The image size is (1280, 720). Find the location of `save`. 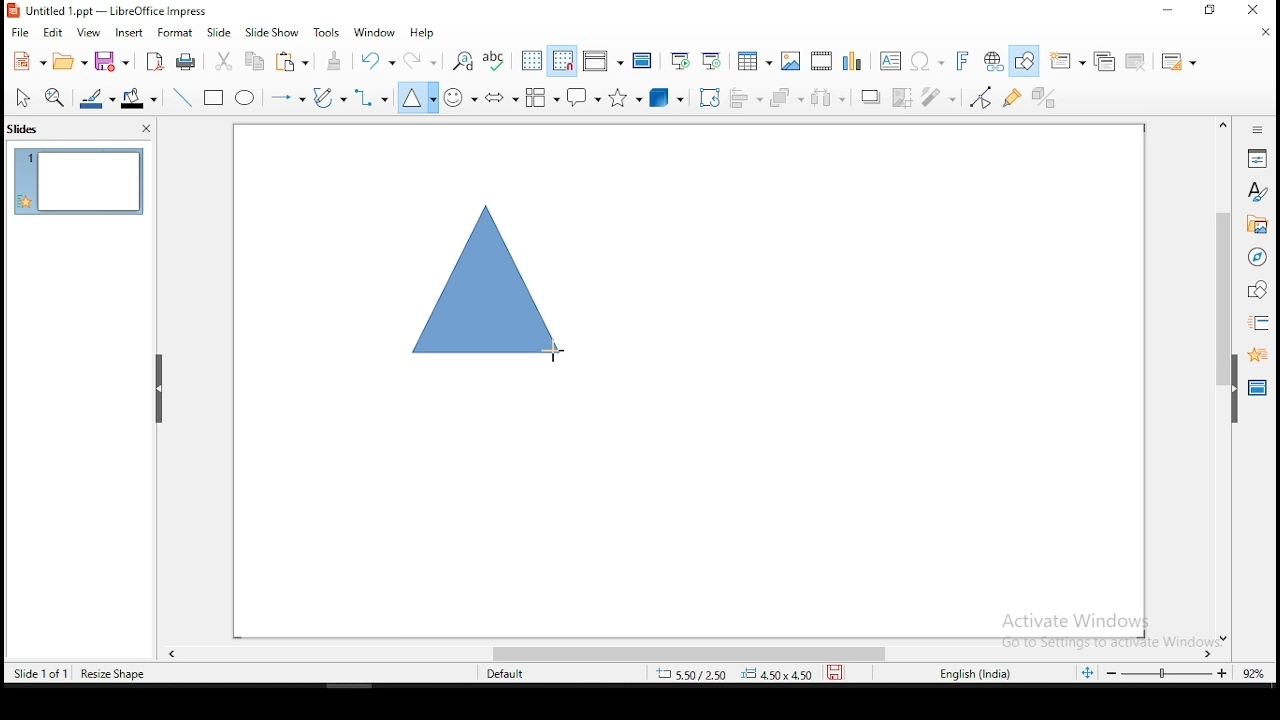

save is located at coordinates (835, 675).